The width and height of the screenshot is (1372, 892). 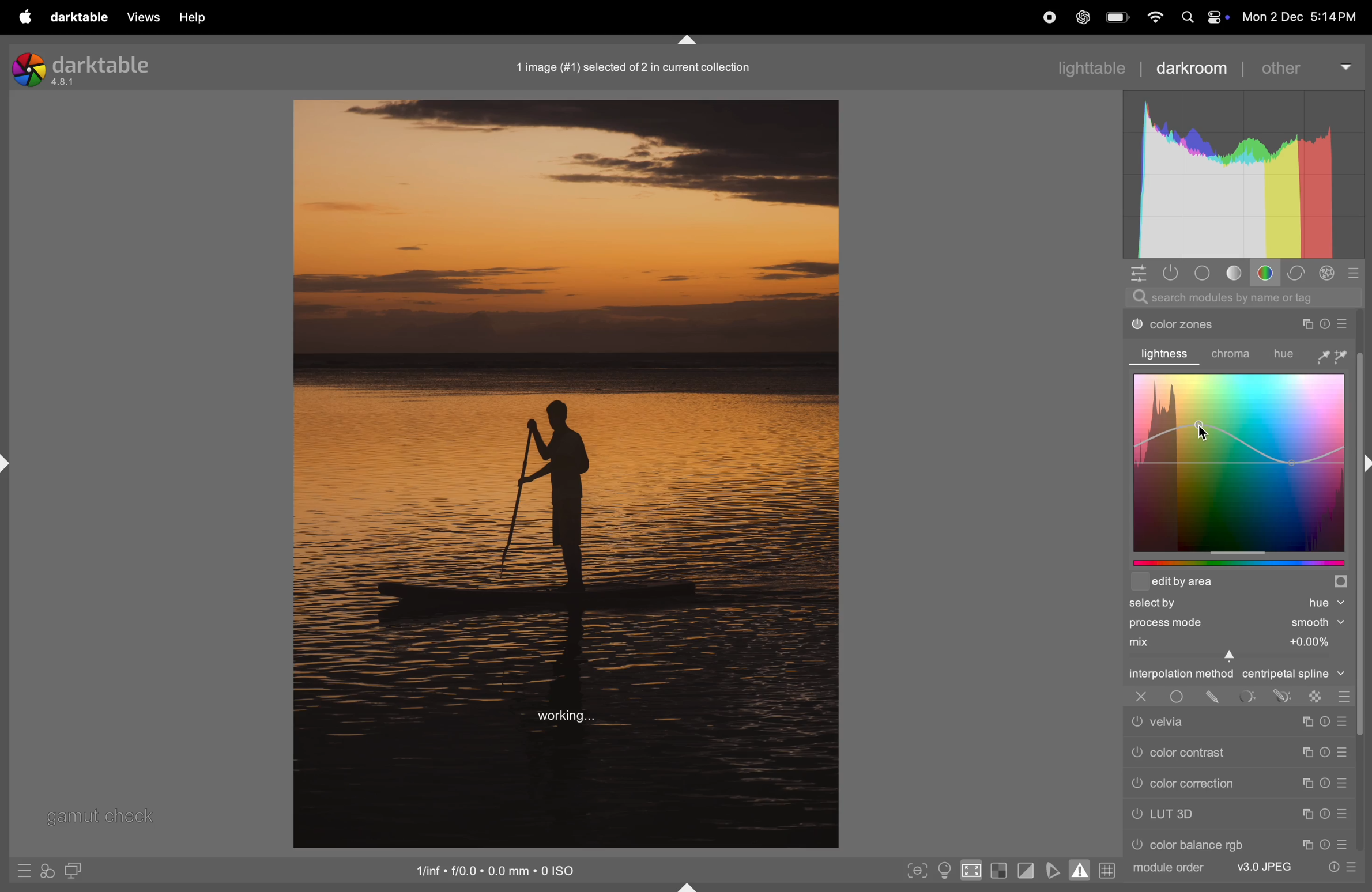 I want to click on color rgb balance, so click(x=1208, y=843).